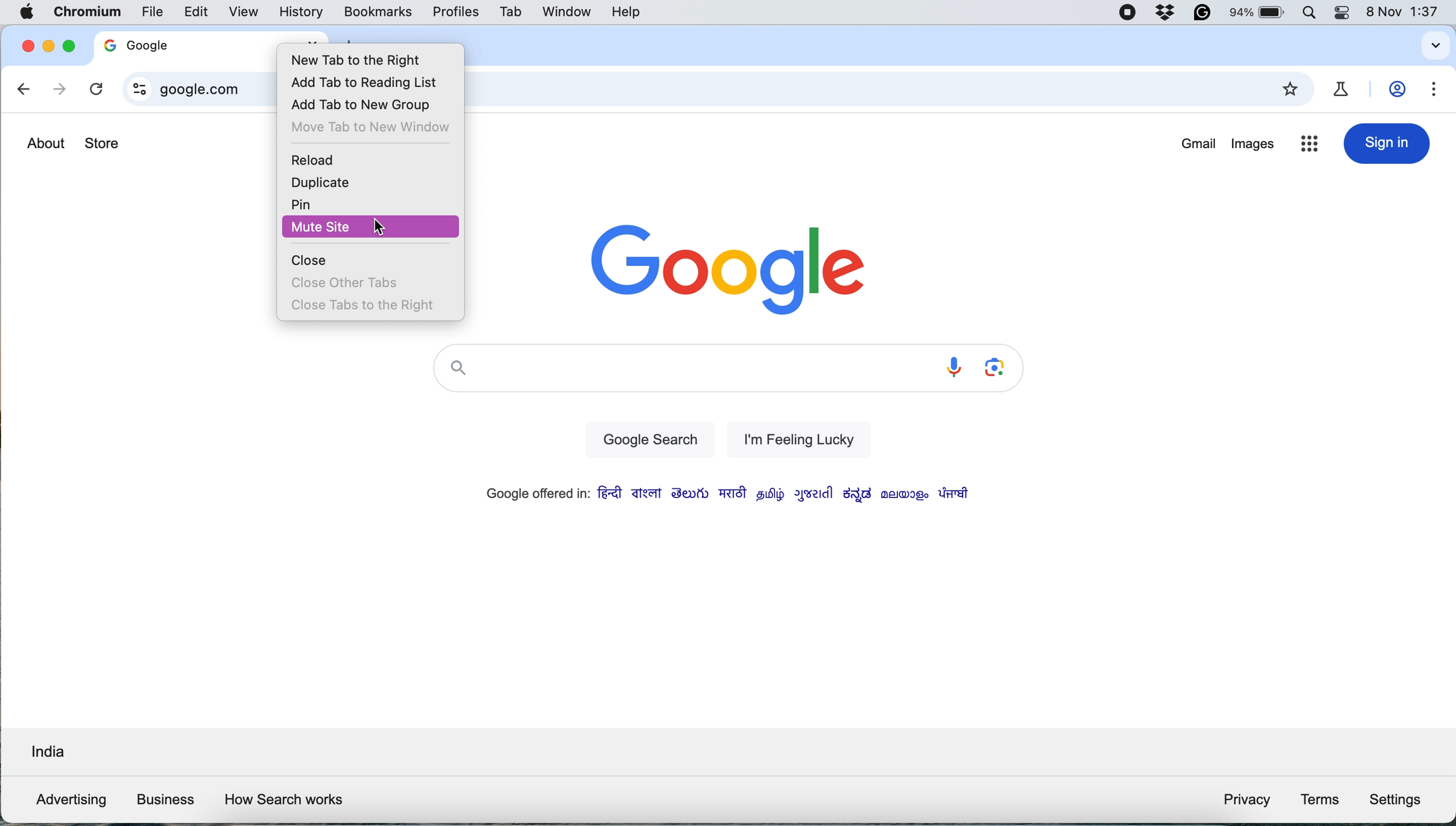  Describe the element at coordinates (1201, 14) in the screenshot. I see `grammarly` at that location.